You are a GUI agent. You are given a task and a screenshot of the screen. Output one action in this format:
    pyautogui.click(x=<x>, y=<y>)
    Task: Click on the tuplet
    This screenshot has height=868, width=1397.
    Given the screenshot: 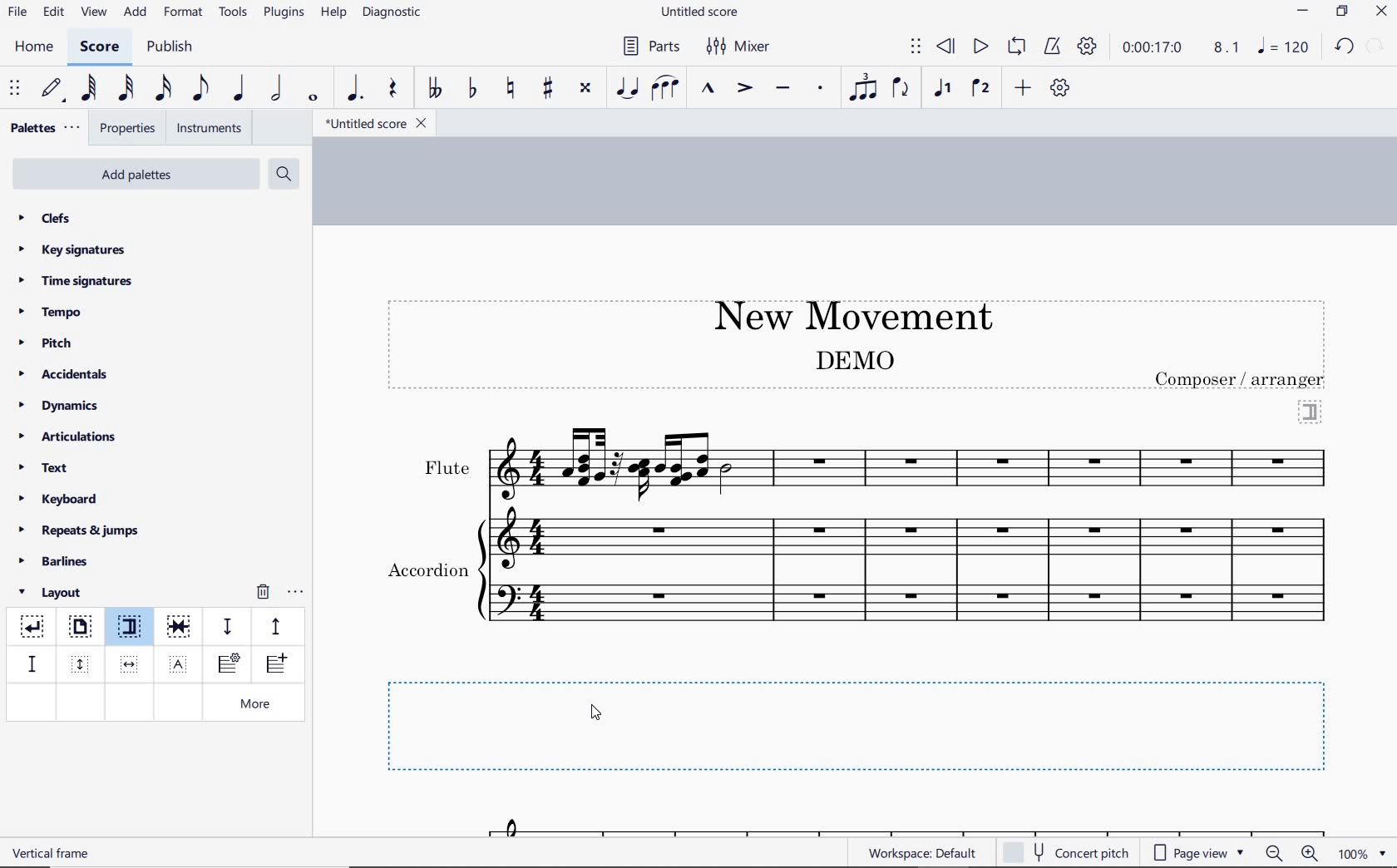 What is the action you would take?
    pyautogui.click(x=860, y=87)
    